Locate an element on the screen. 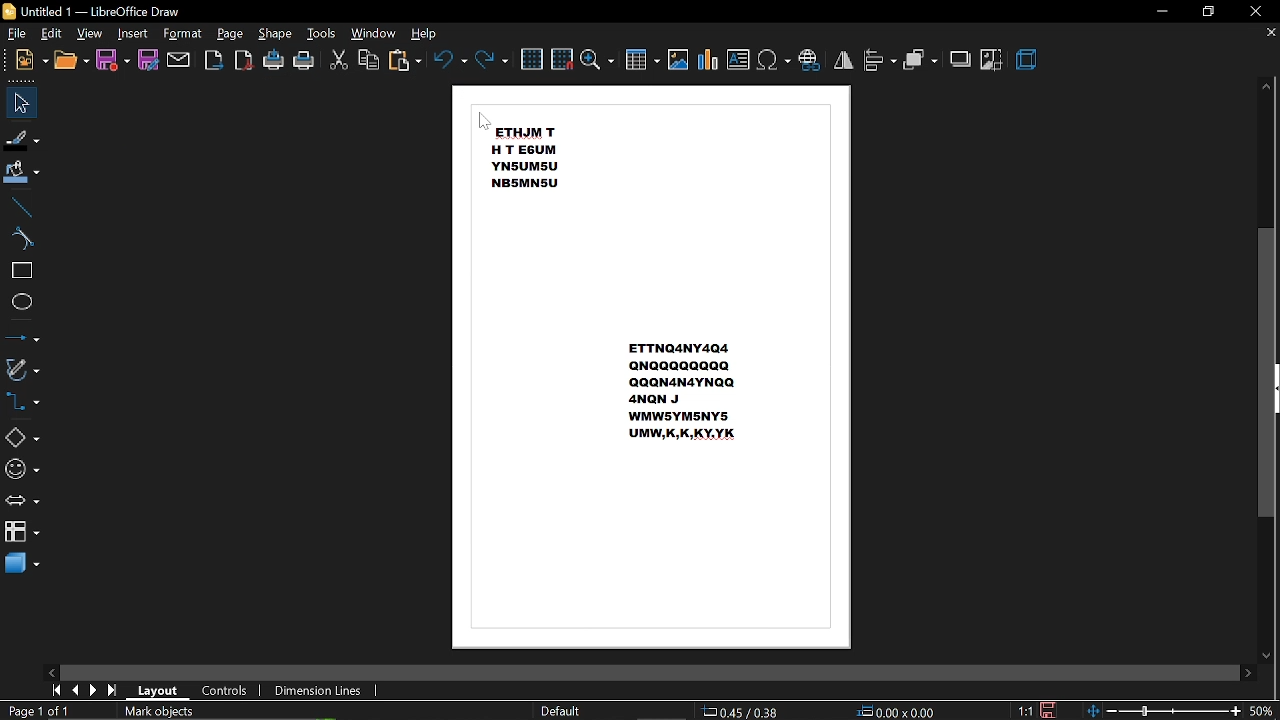  move down is located at coordinates (1265, 655).